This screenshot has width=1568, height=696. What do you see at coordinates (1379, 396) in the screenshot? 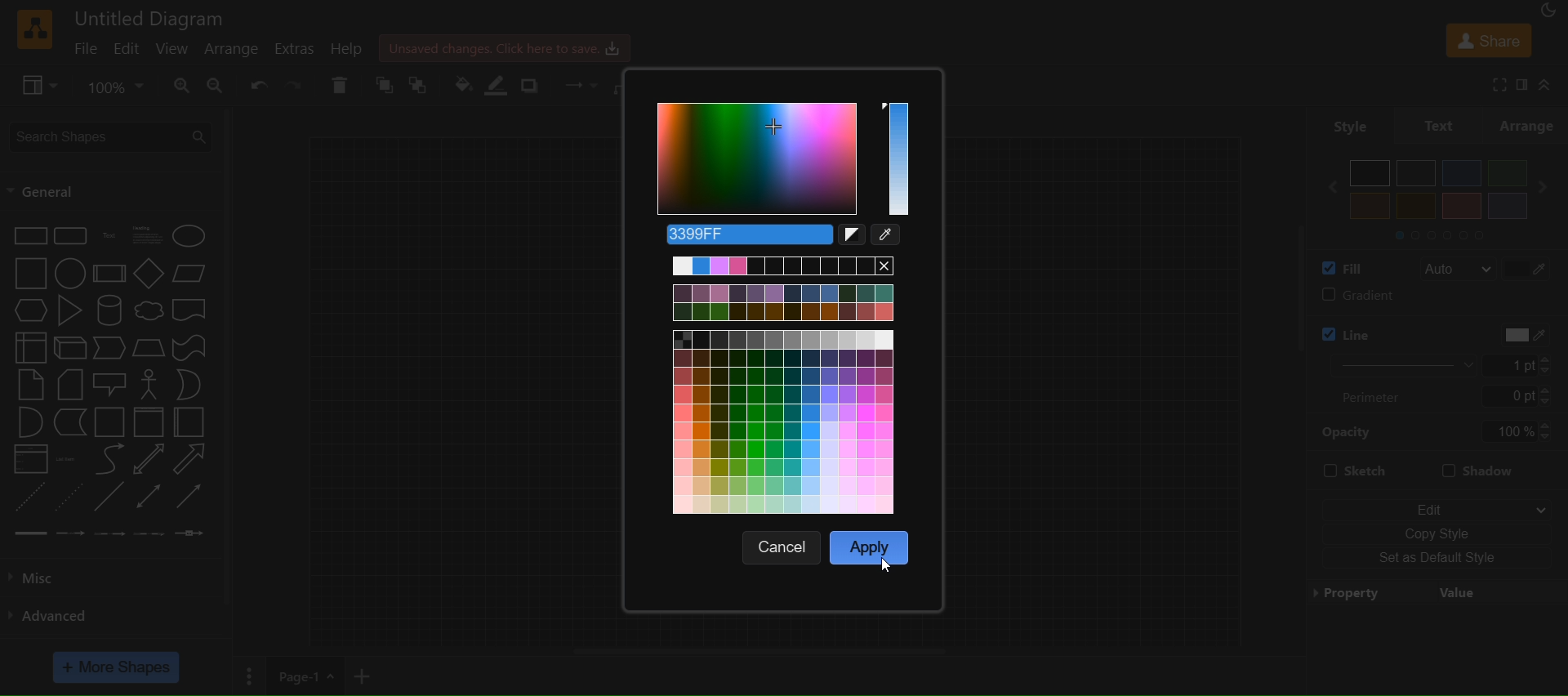
I see `perimeter` at bounding box center [1379, 396].